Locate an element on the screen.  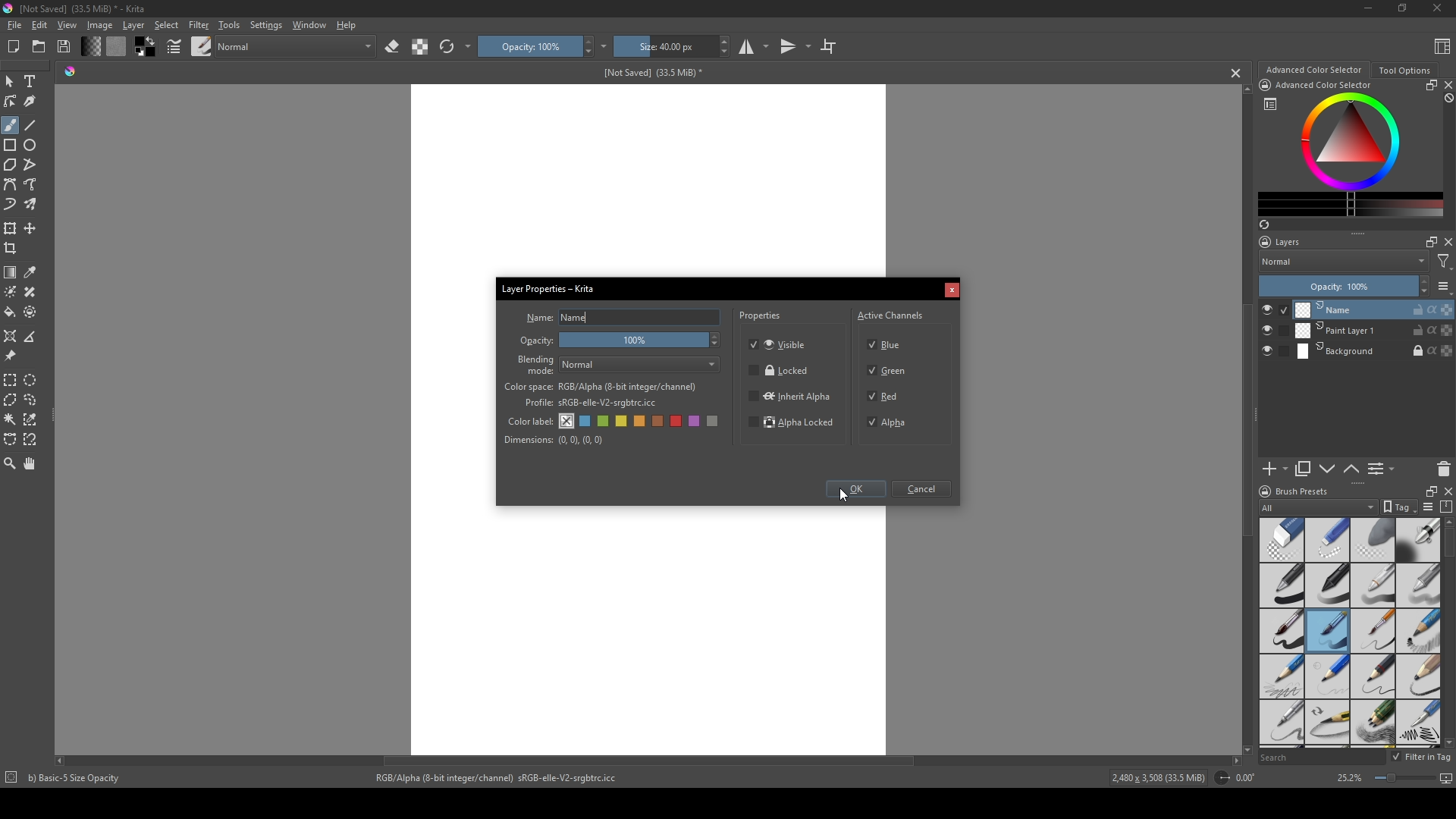
Green is located at coordinates (889, 372).